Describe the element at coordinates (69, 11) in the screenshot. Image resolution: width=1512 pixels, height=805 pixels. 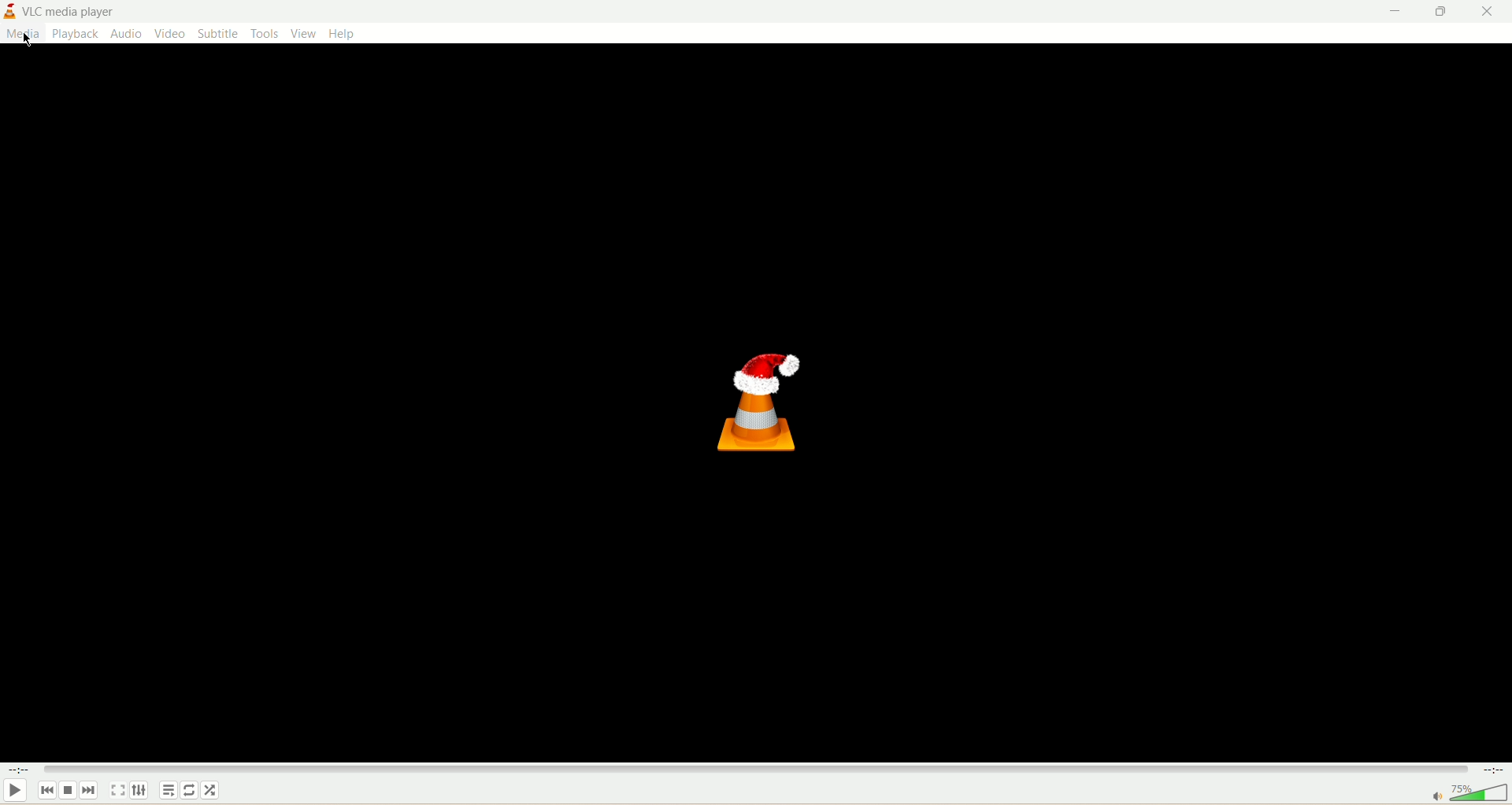
I see `VLC media player` at that location.